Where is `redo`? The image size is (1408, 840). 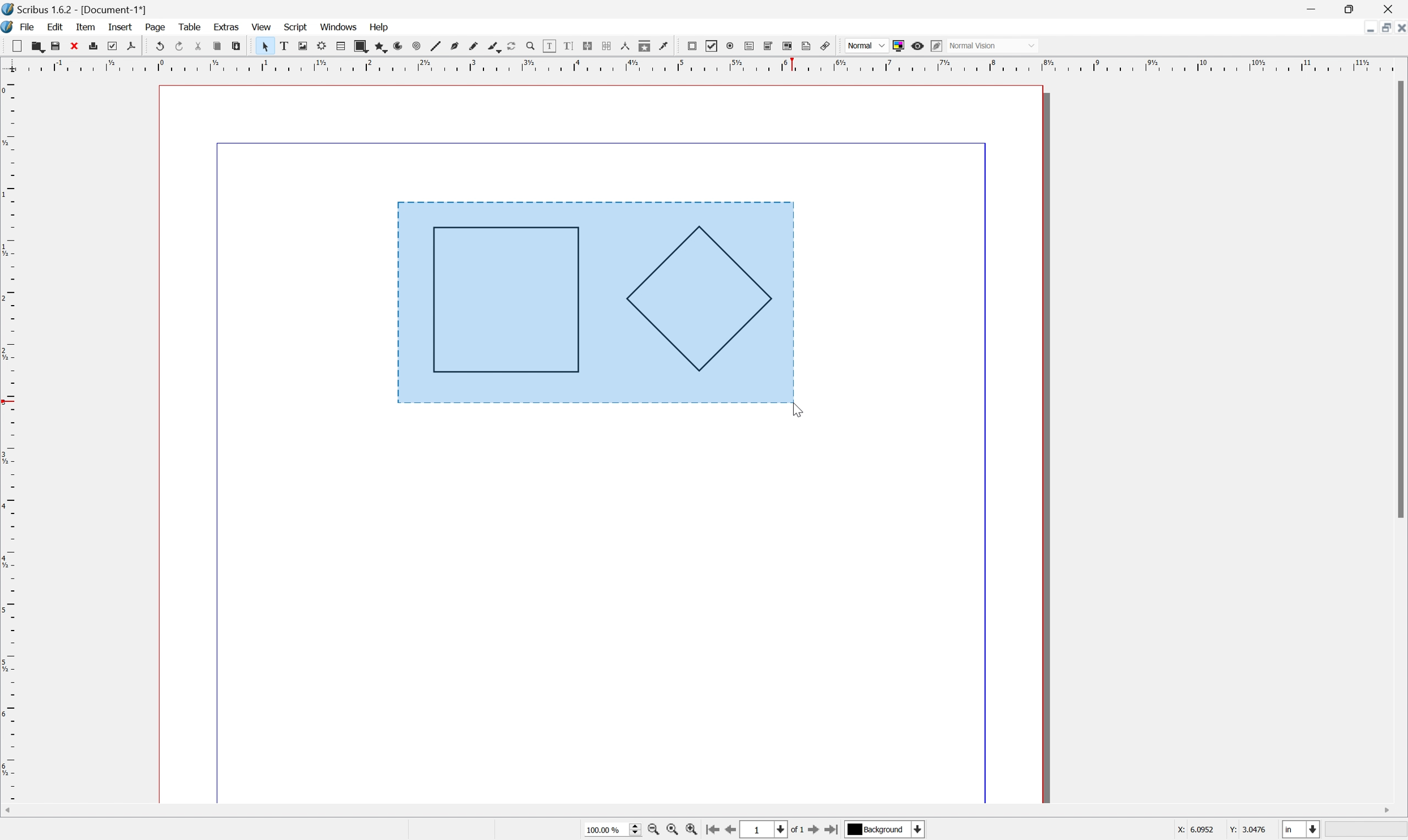 redo is located at coordinates (177, 47).